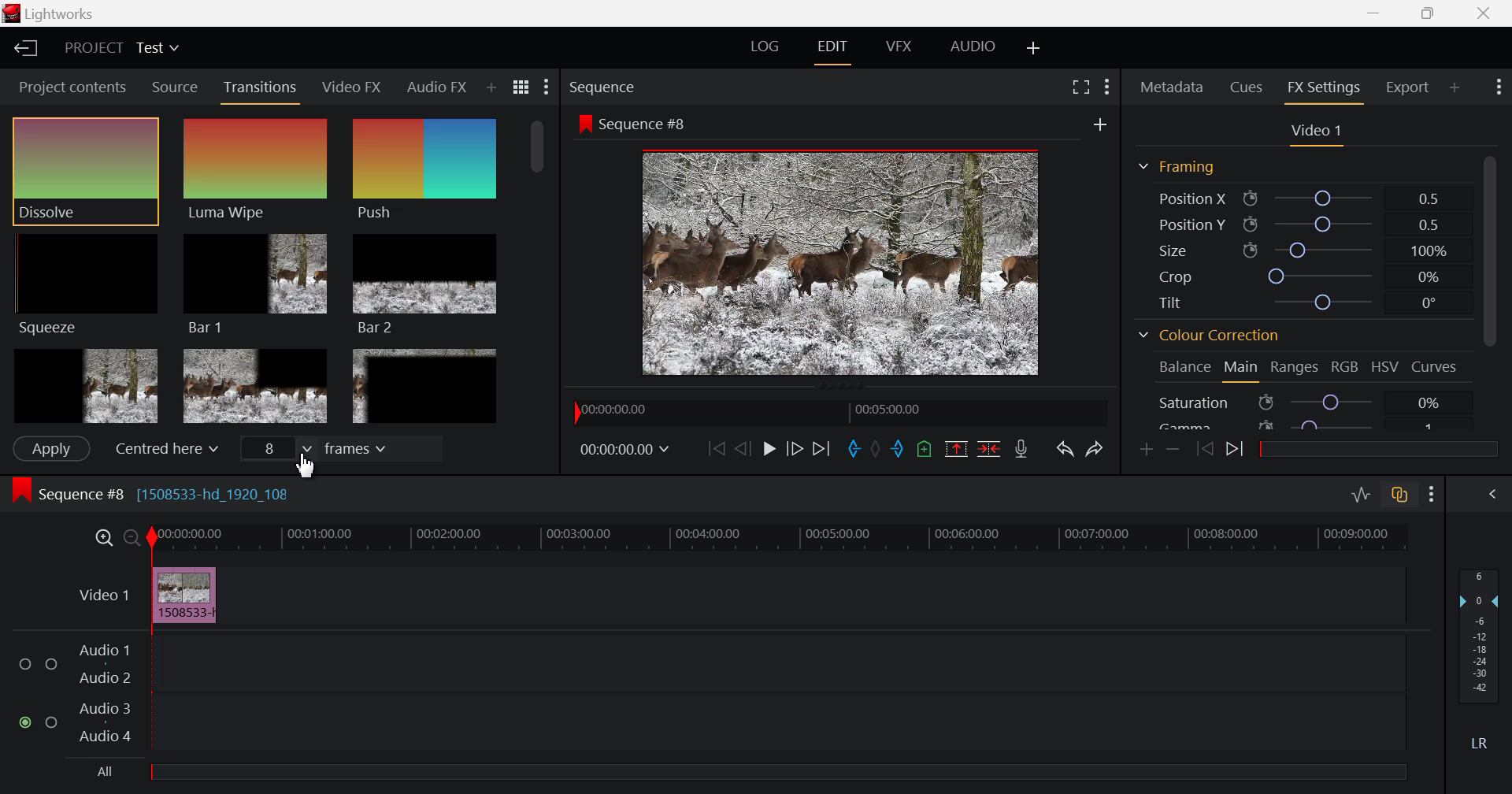  Describe the element at coordinates (732, 595) in the screenshot. I see `Clip Inserted in Video Layer` at that location.